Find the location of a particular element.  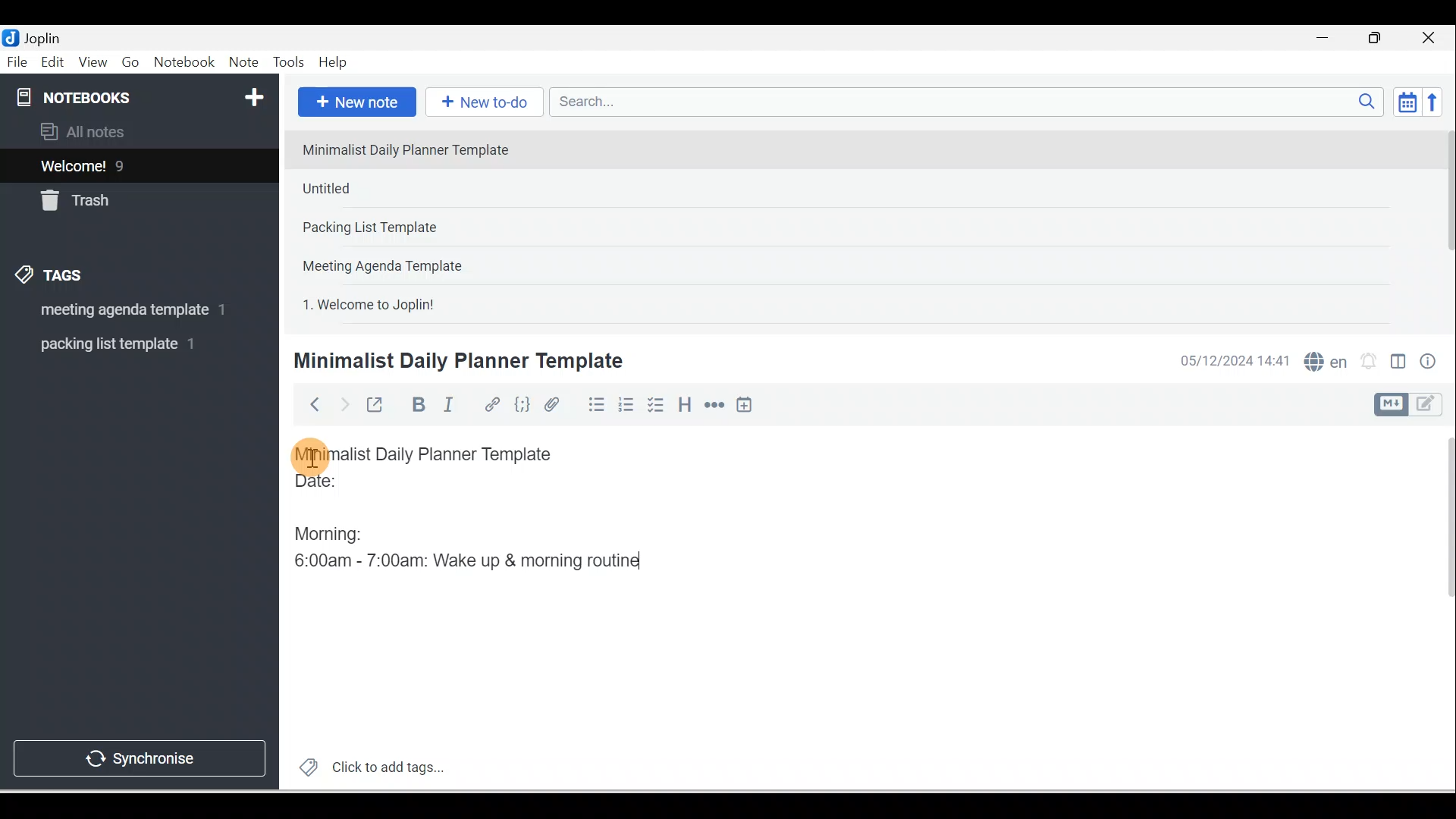

Toggle external editing is located at coordinates (377, 408).